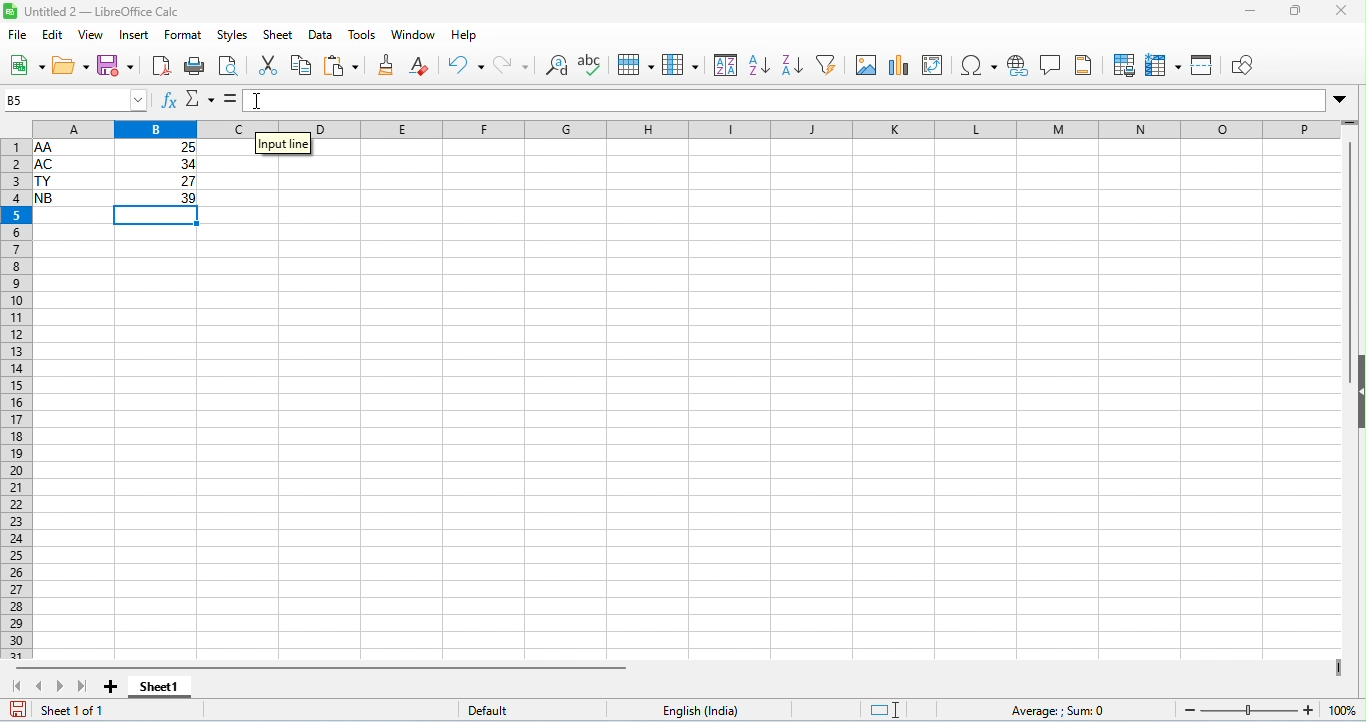 This screenshot has height=722, width=1366. What do you see at coordinates (1349, 123) in the screenshot?
I see `drag to view rows` at bounding box center [1349, 123].